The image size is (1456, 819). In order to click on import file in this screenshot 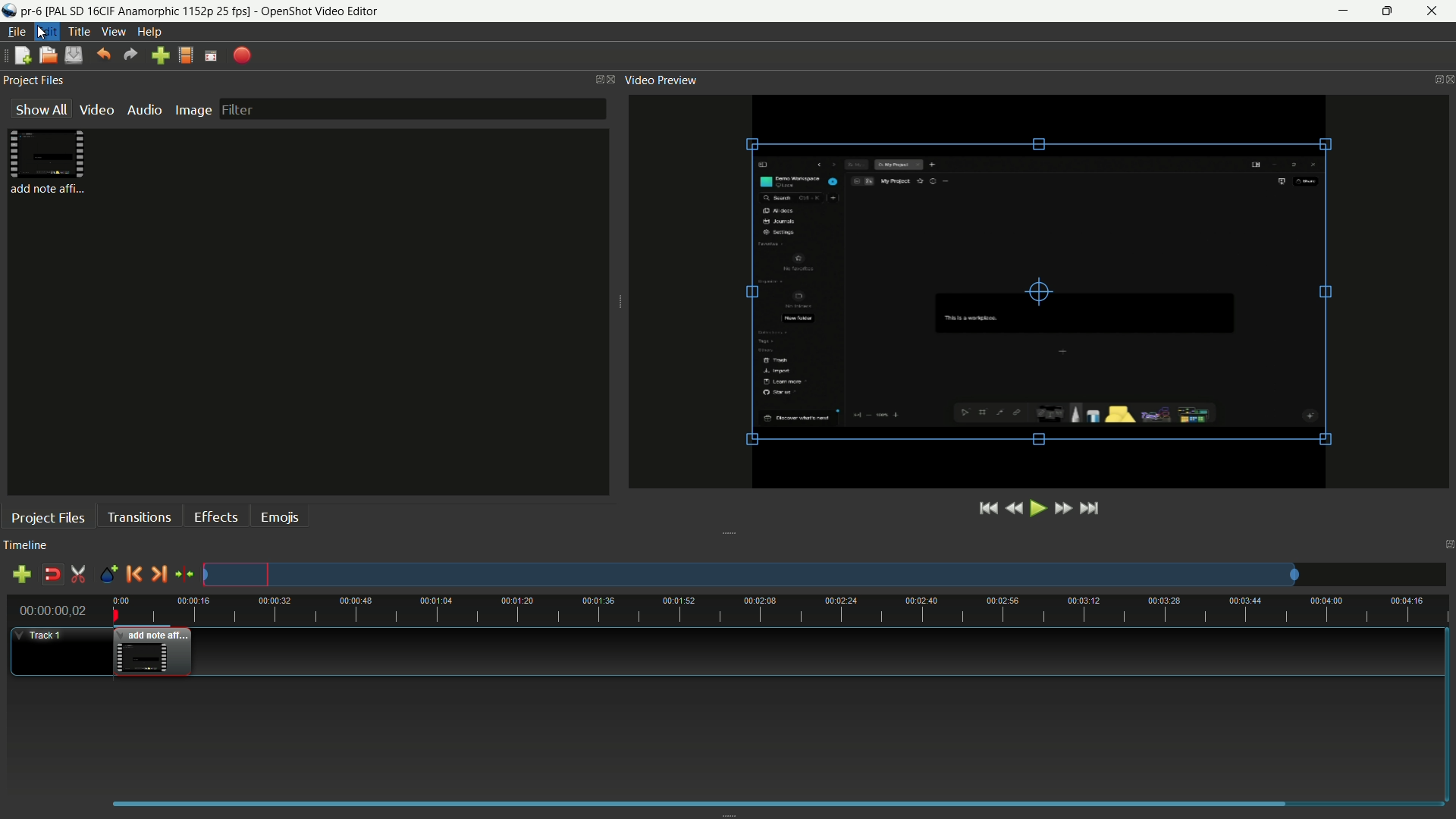, I will do `click(159, 55)`.